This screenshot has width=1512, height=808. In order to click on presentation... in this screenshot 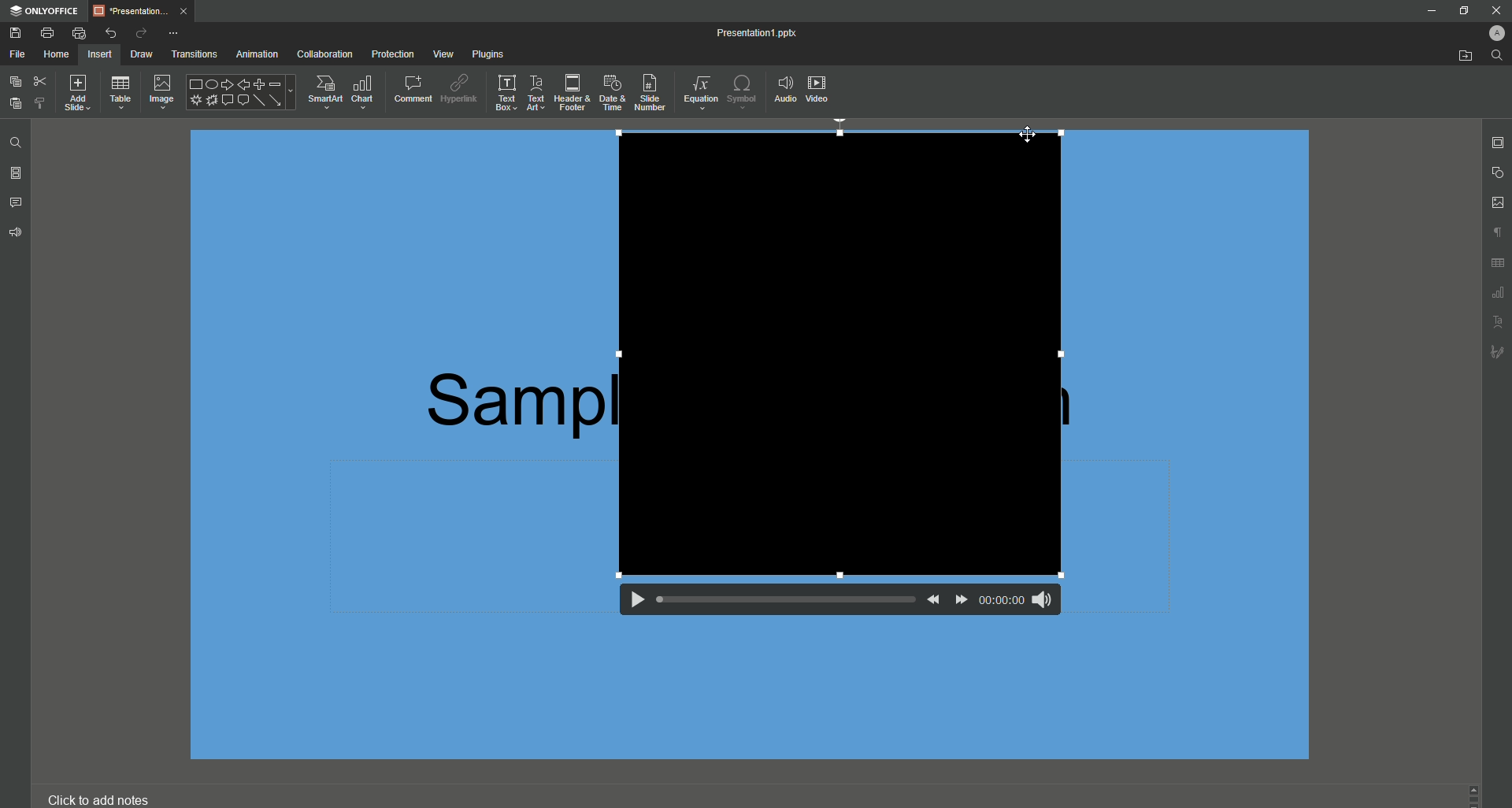, I will do `click(146, 9)`.